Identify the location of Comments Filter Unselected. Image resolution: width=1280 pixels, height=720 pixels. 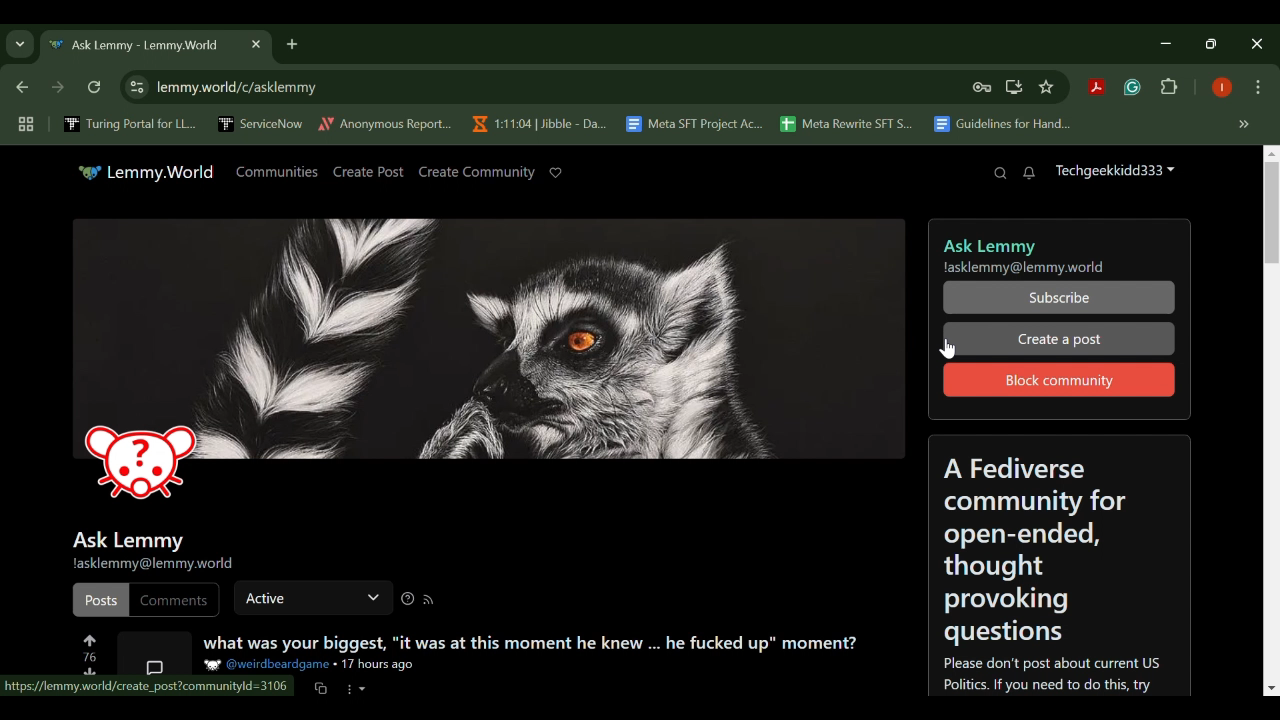
(174, 599).